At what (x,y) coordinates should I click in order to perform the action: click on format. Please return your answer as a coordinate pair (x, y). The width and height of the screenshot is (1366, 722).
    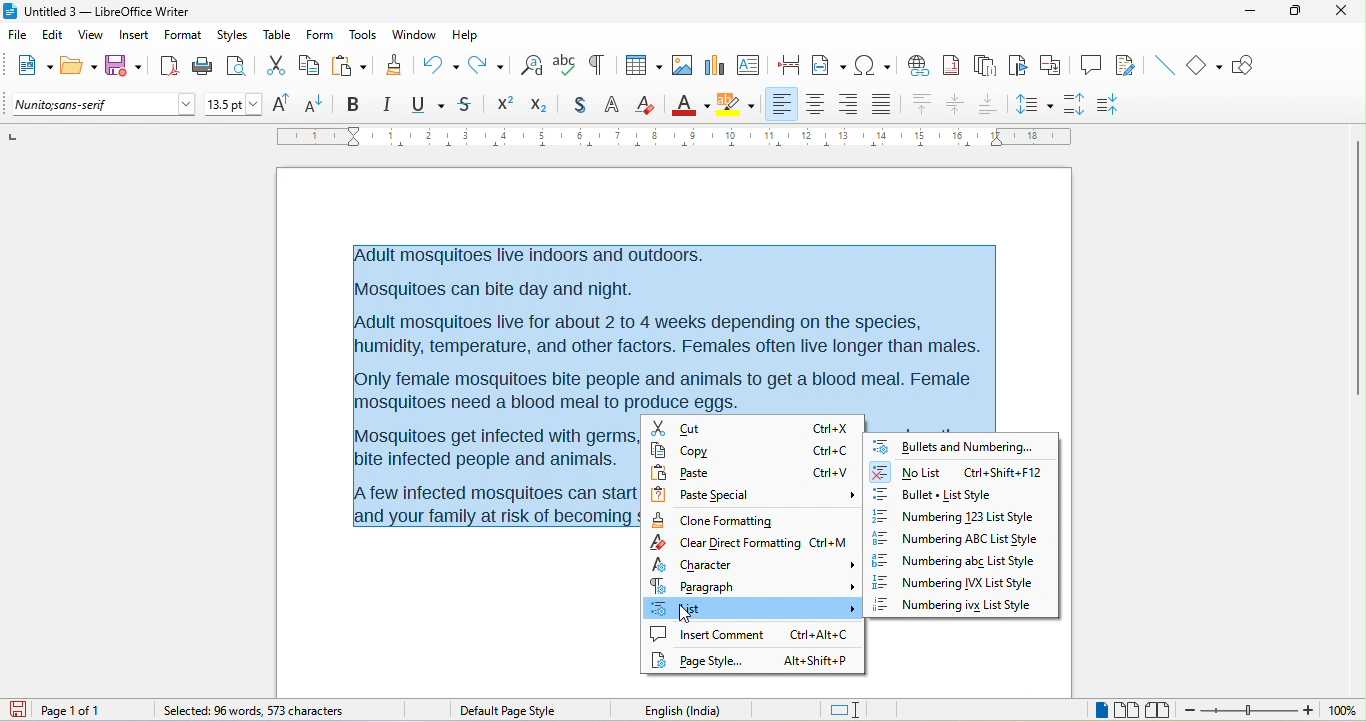
    Looking at the image, I should click on (184, 36).